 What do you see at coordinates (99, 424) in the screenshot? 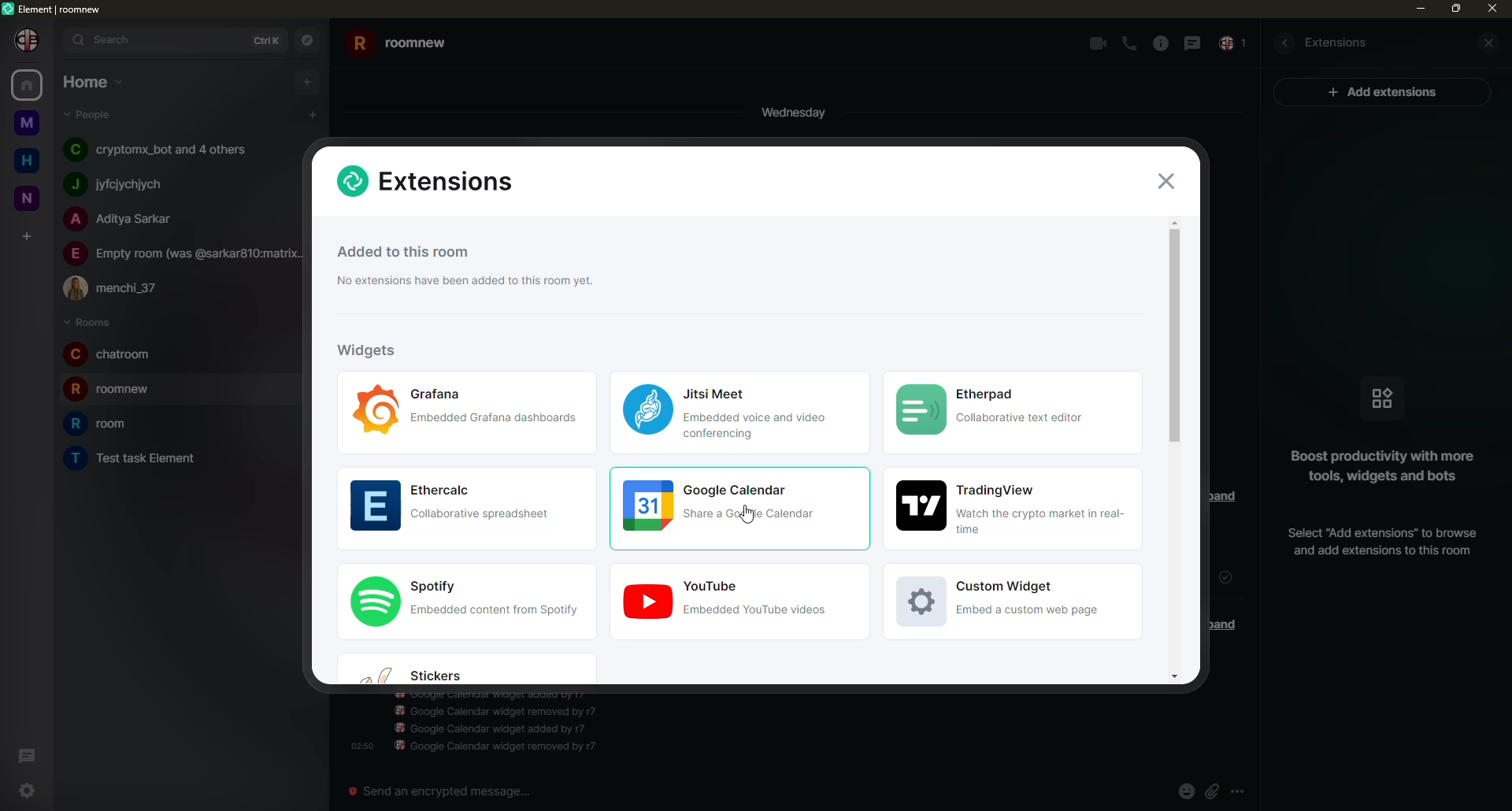
I see `room` at bounding box center [99, 424].